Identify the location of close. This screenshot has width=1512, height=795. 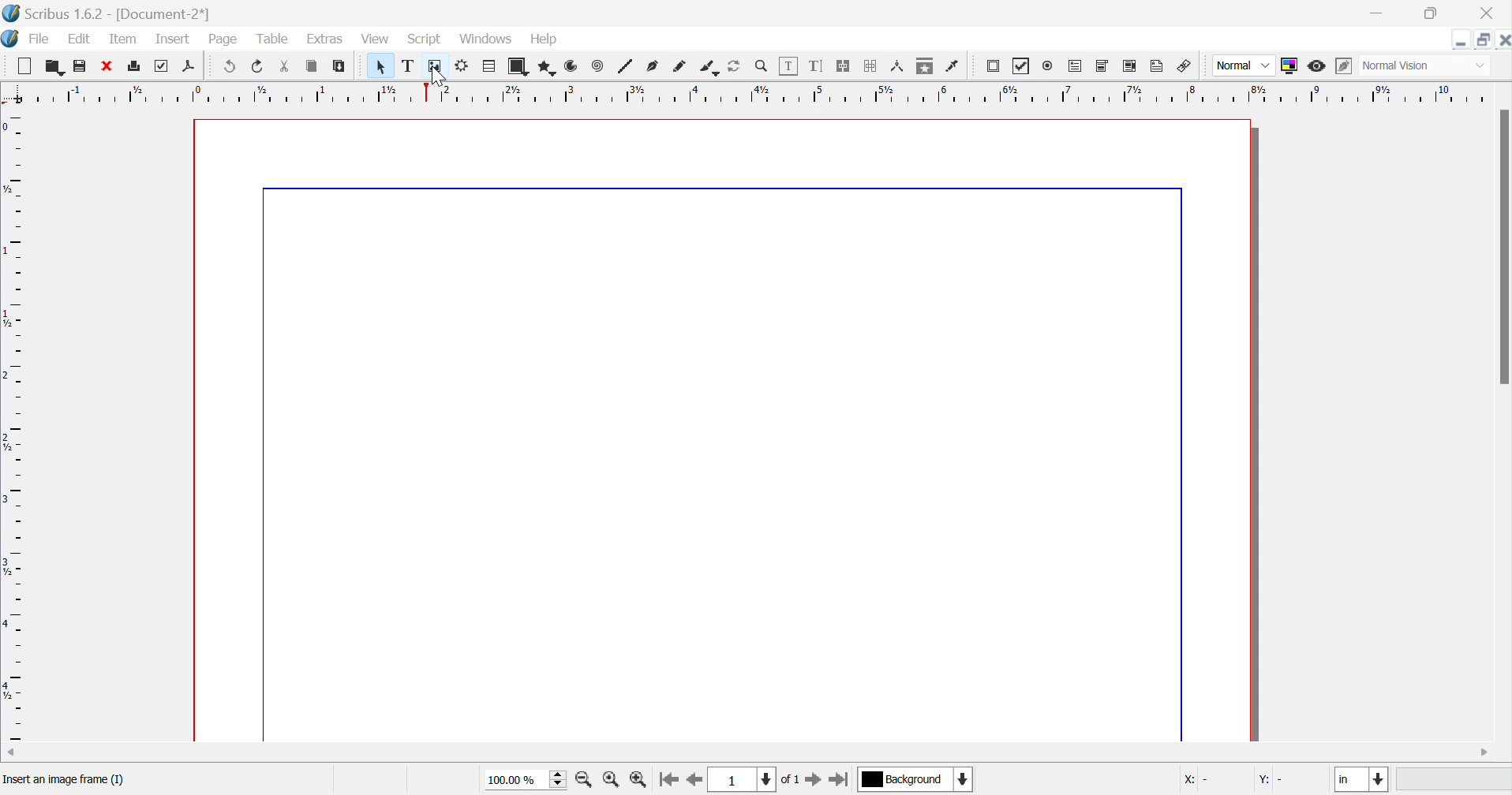
(1503, 38).